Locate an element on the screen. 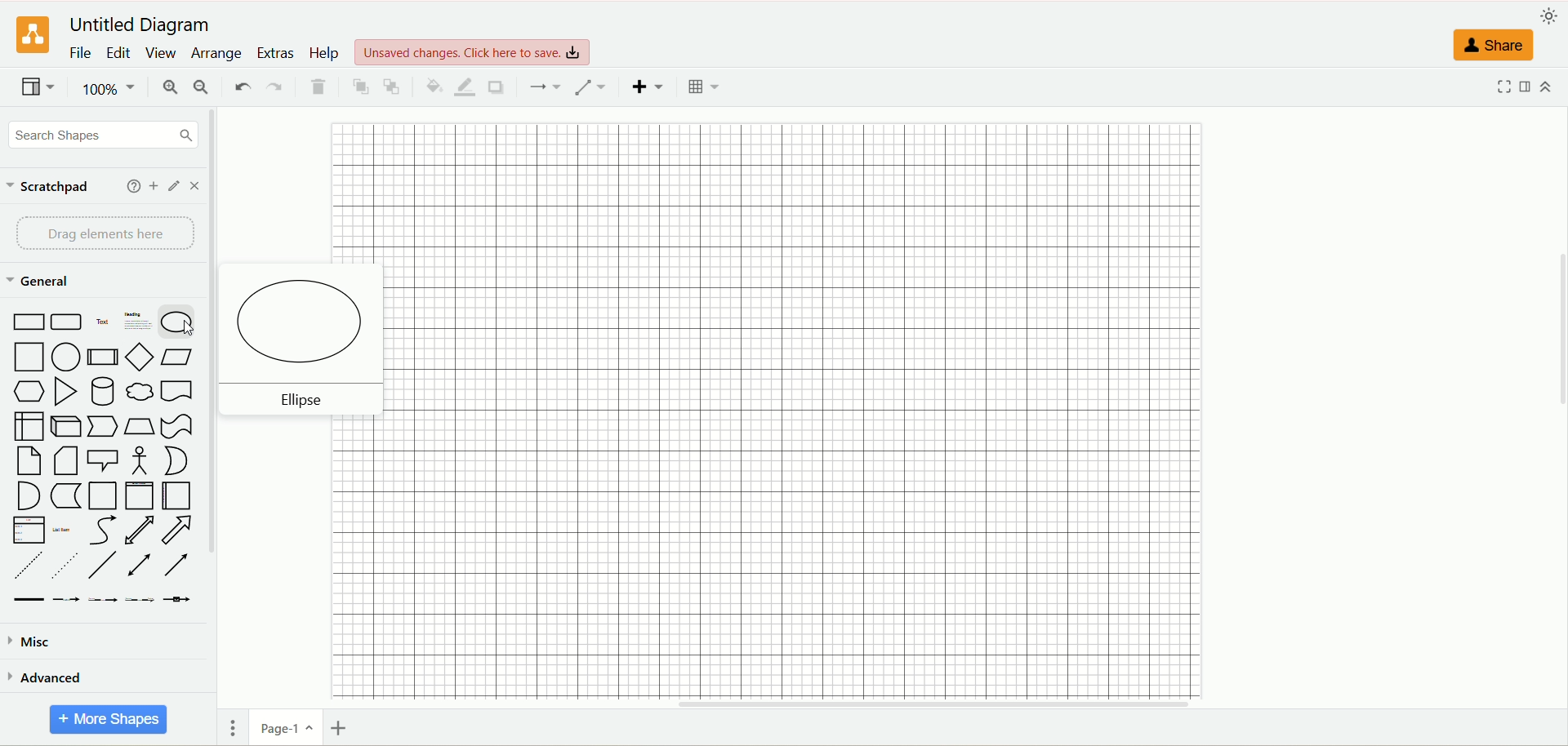 This screenshot has width=1568, height=746. pages is located at coordinates (231, 723).